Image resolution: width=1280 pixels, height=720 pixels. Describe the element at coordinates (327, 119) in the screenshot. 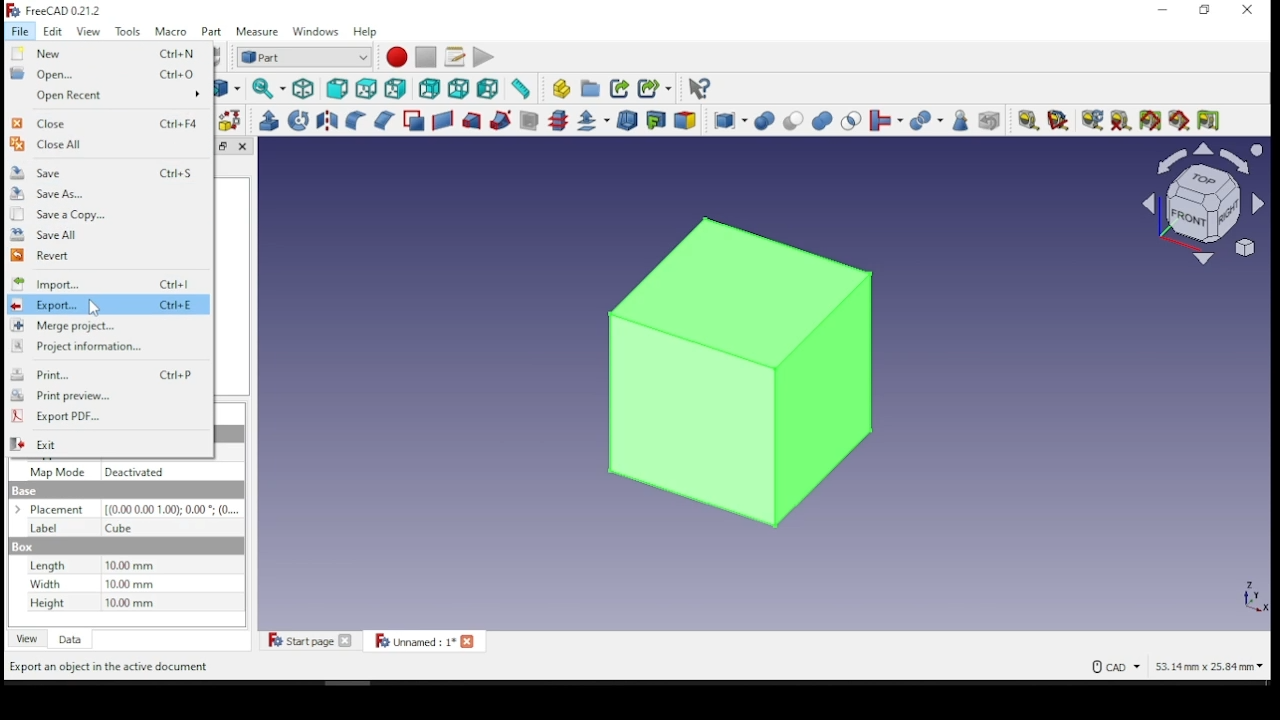

I see `mirroring` at that location.